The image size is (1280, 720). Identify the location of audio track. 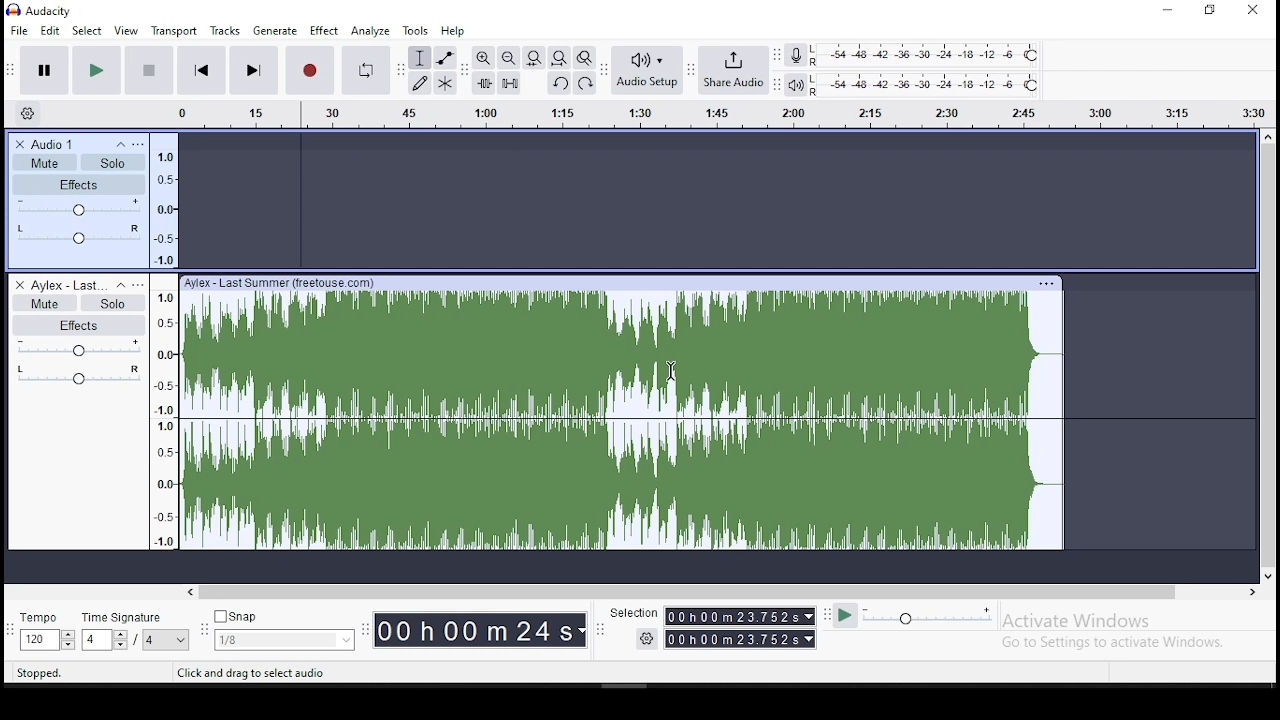
(623, 414).